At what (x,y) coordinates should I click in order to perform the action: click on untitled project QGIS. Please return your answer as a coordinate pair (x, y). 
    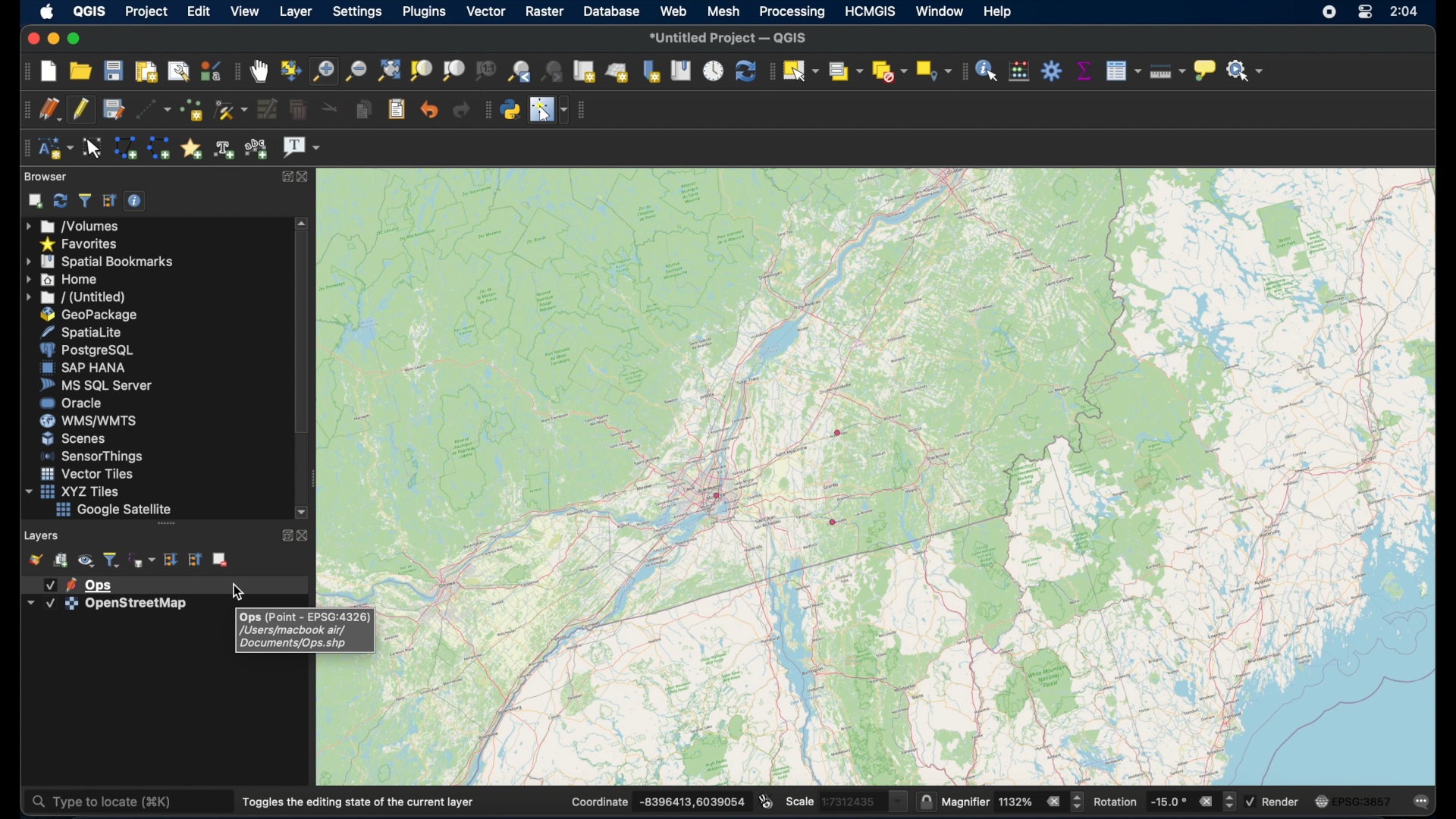
    Looking at the image, I should click on (733, 37).